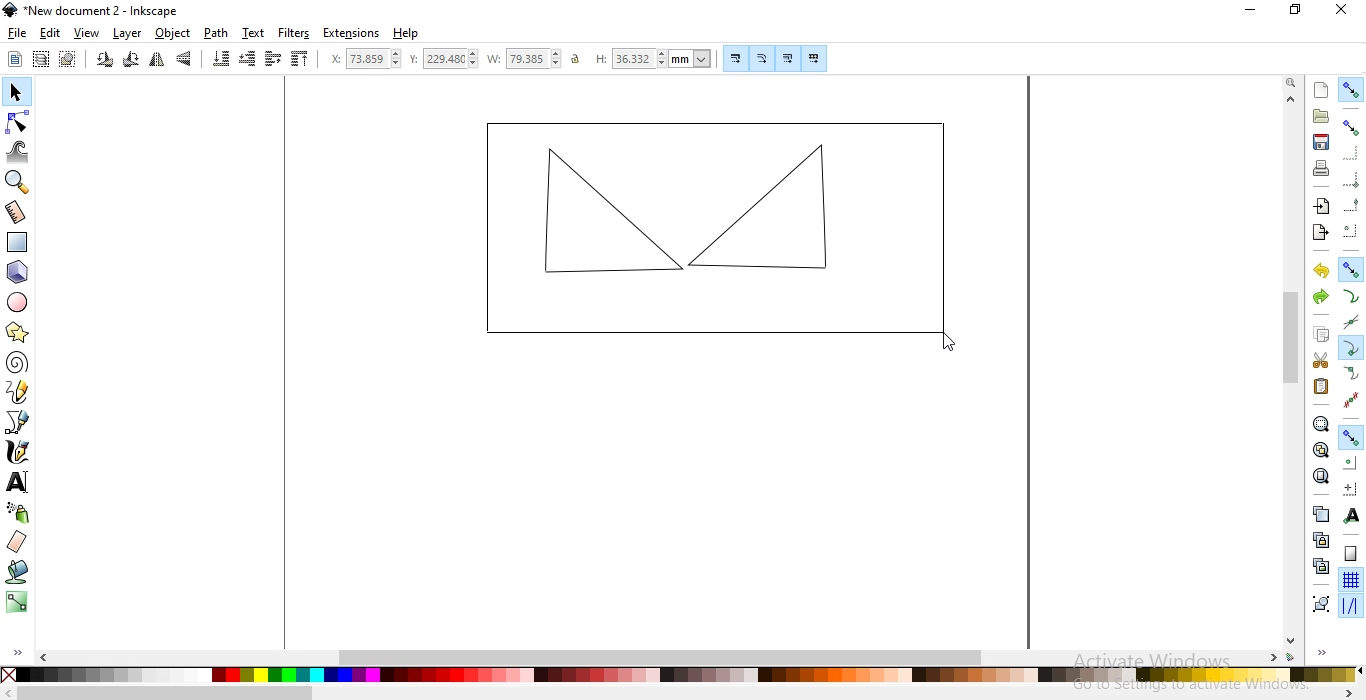 This screenshot has height=700, width=1366. I want to click on import a bitmap or SVG image, so click(1324, 208).